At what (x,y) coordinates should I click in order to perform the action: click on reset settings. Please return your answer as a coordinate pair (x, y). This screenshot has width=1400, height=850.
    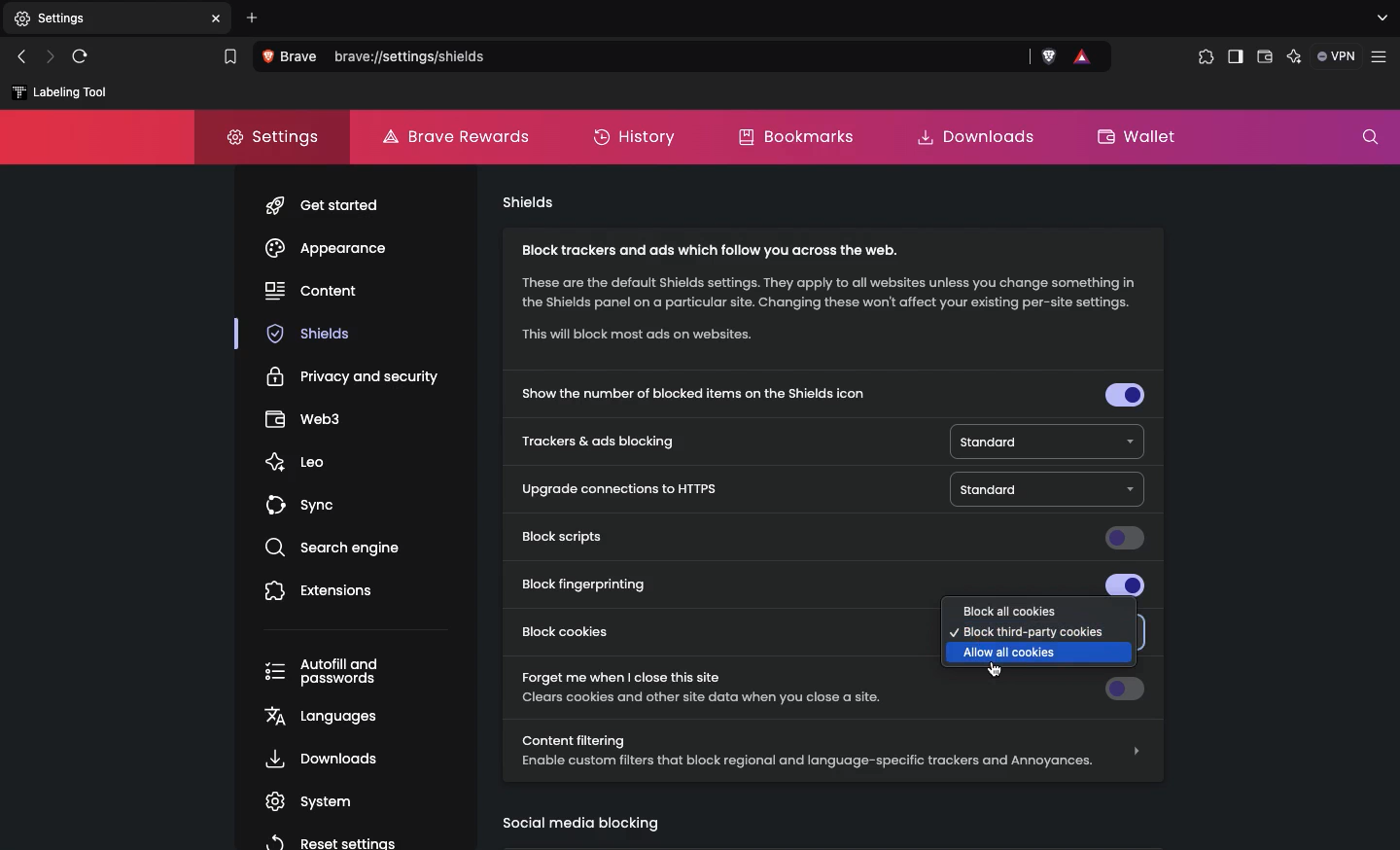
    Looking at the image, I should click on (329, 840).